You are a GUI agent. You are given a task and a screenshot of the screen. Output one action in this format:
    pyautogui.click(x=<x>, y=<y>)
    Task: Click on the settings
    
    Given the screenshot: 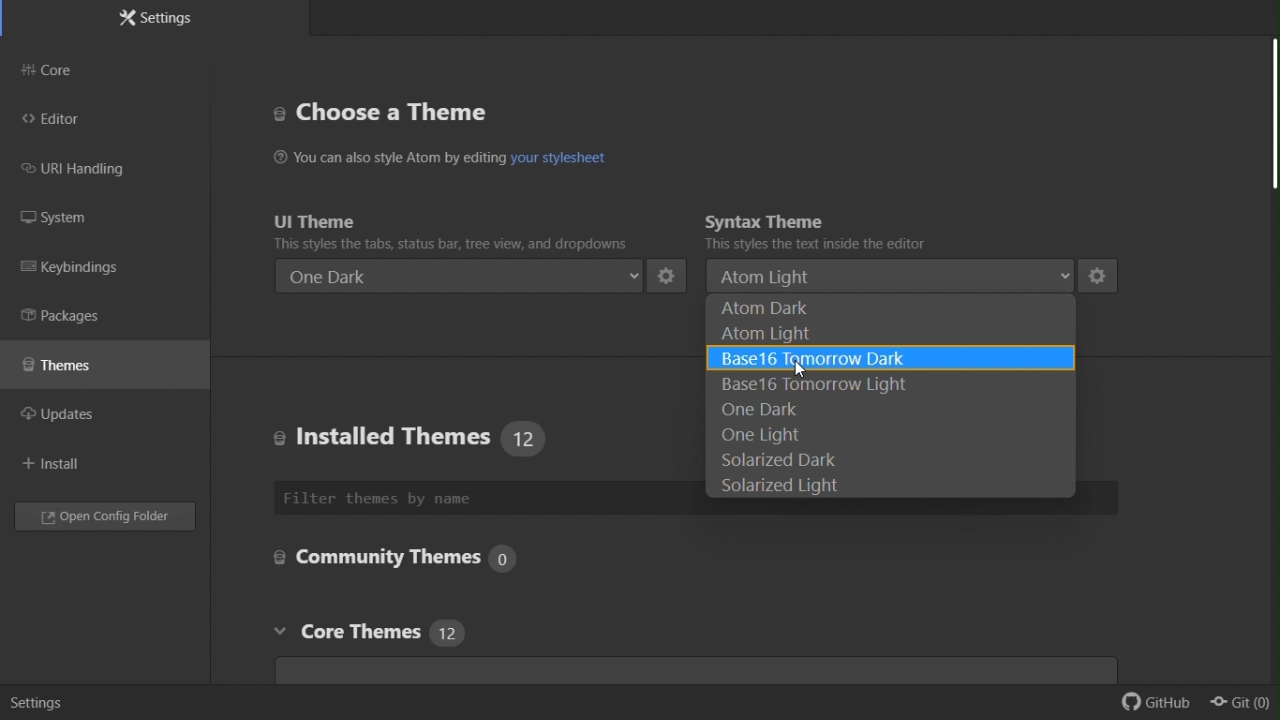 What is the action you would take?
    pyautogui.click(x=665, y=275)
    